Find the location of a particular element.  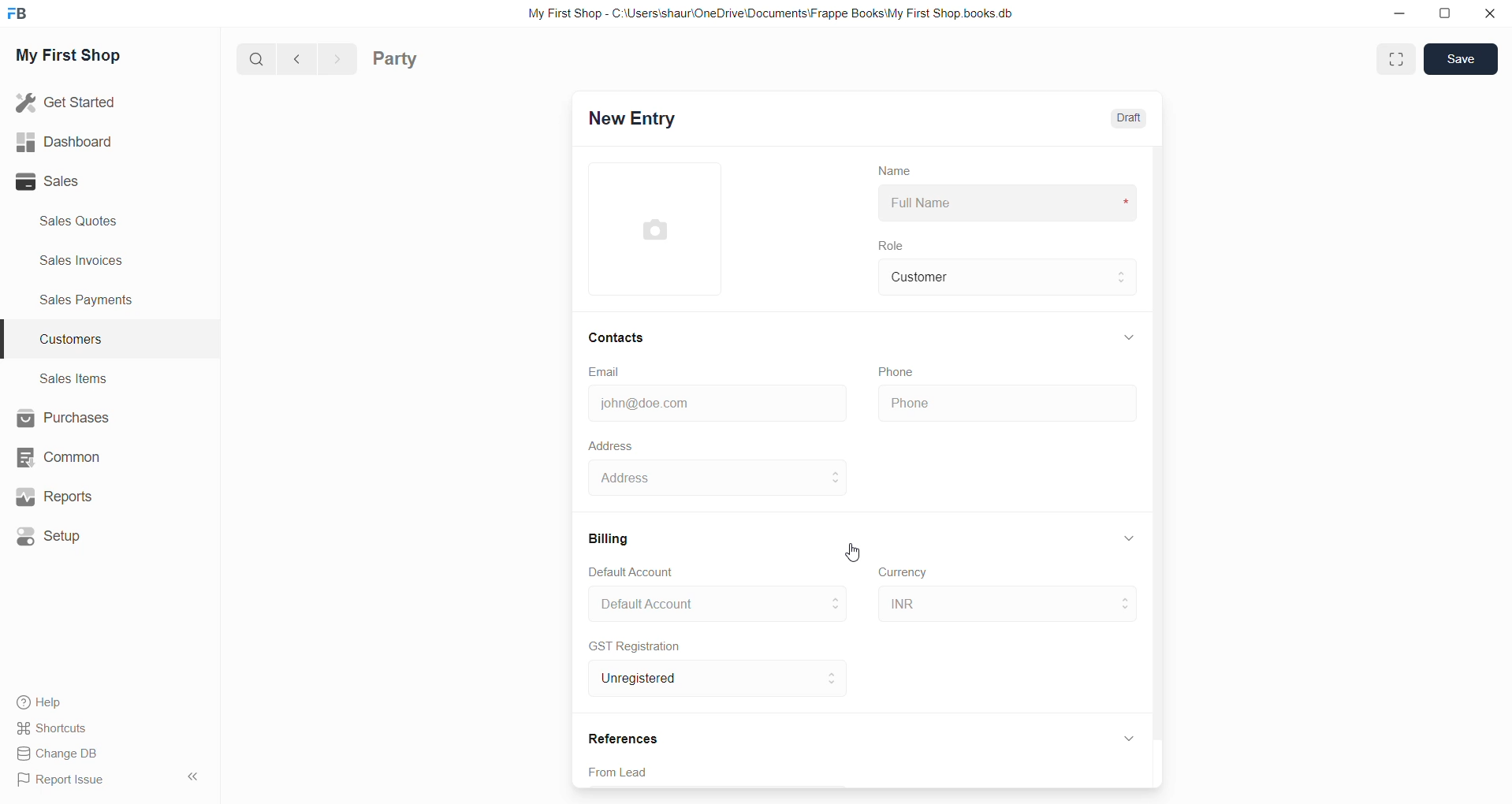

Full name is located at coordinates (1010, 204).